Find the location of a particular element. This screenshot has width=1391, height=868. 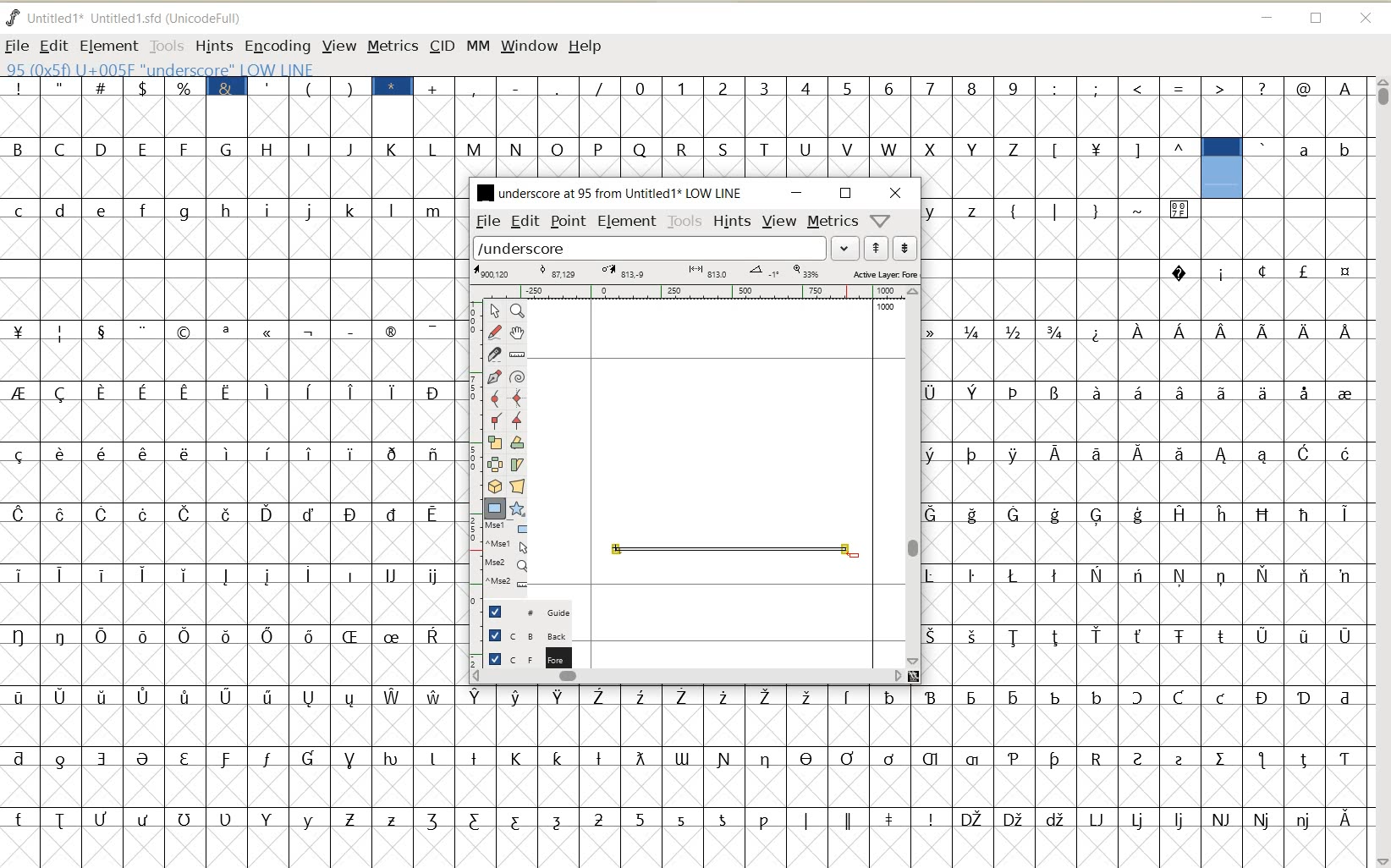

HELP is located at coordinates (587, 47).